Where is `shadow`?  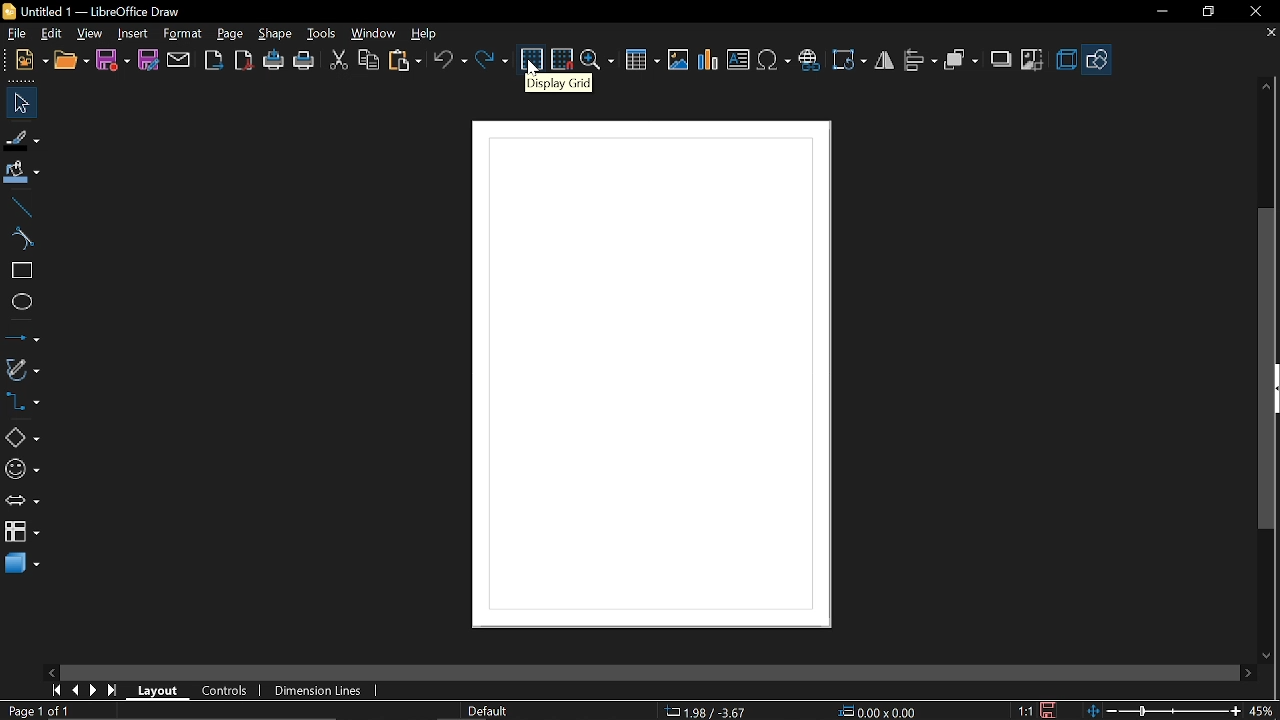 shadow is located at coordinates (999, 60).